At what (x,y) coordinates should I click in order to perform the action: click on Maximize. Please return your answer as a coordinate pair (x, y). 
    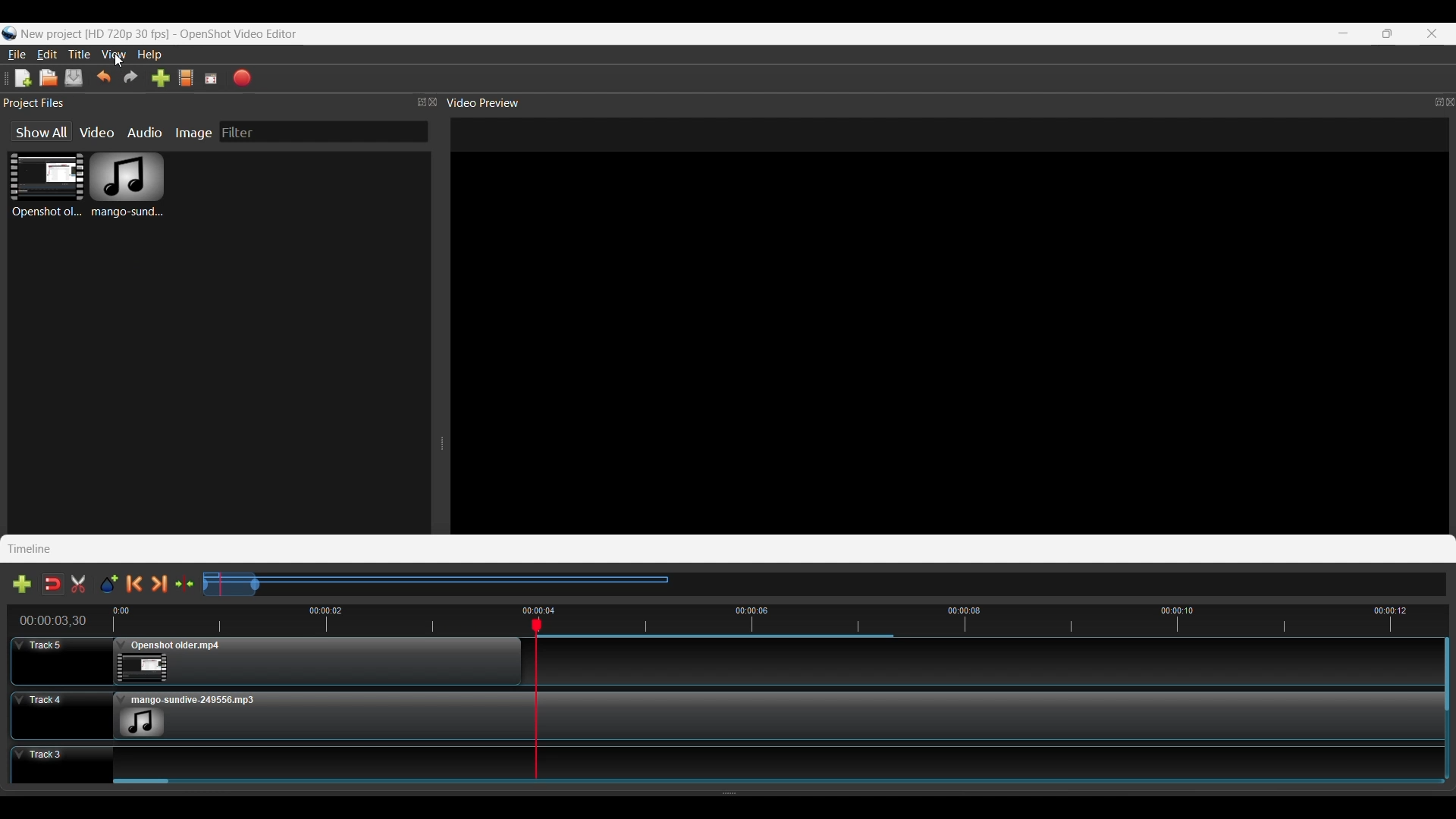
    Looking at the image, I should click on (1389, 33).